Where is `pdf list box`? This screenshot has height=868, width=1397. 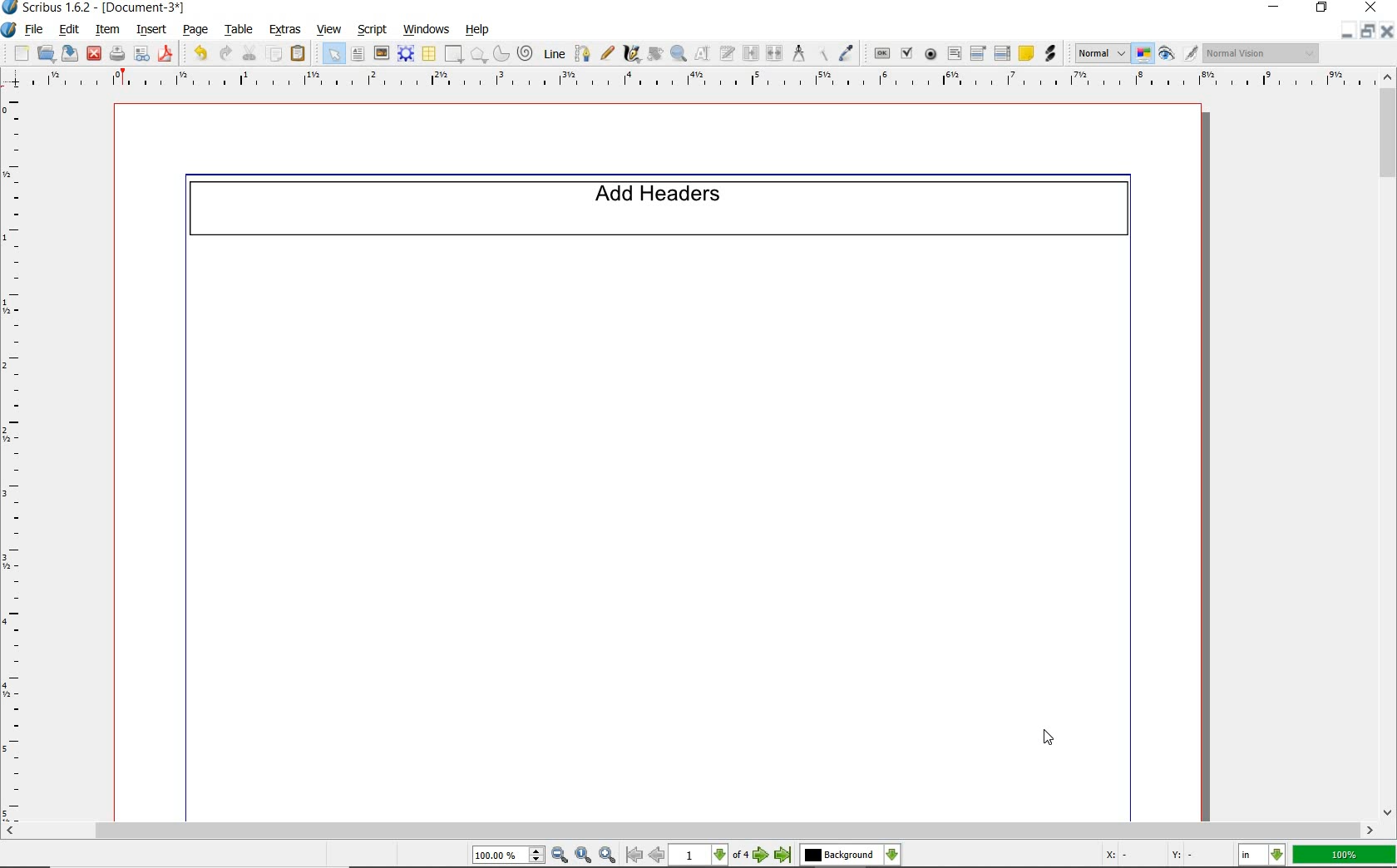
pdf list box is located at coordinates (1003, 52).